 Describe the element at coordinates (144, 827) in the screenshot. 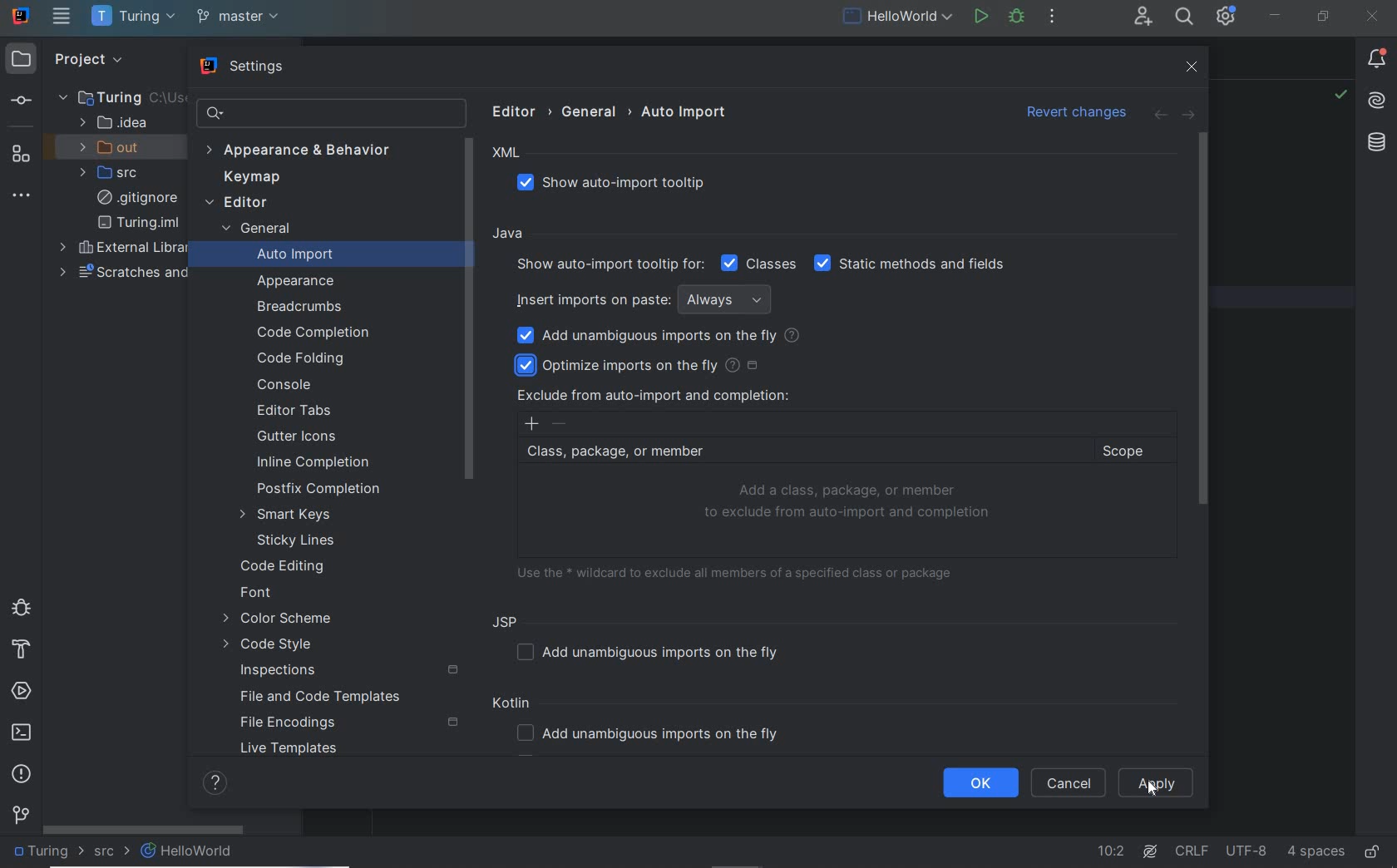

I see `SCROLLBAR` at that location.